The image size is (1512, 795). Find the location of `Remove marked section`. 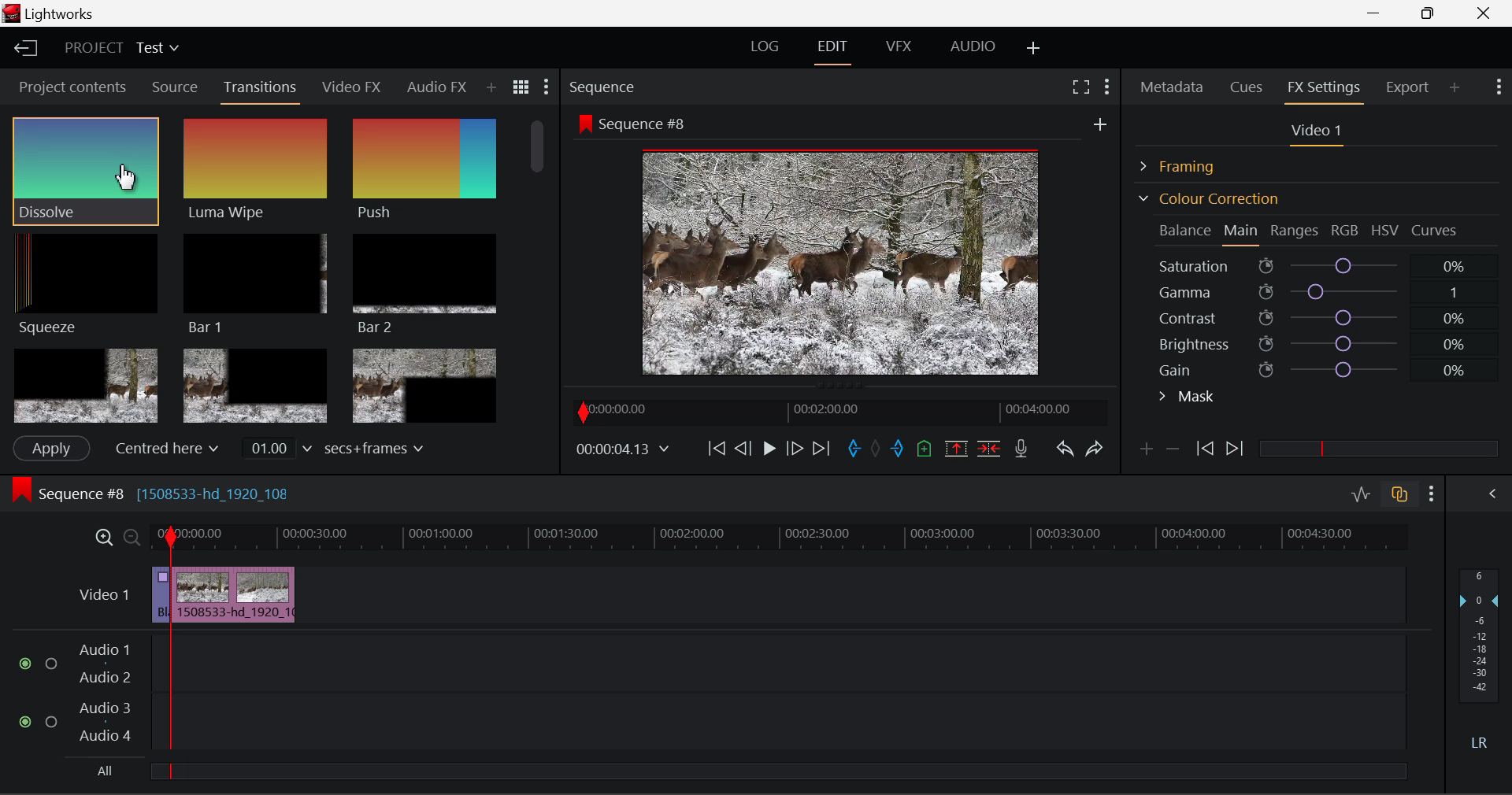

Remove marked section is located at coordinates (955, 447).